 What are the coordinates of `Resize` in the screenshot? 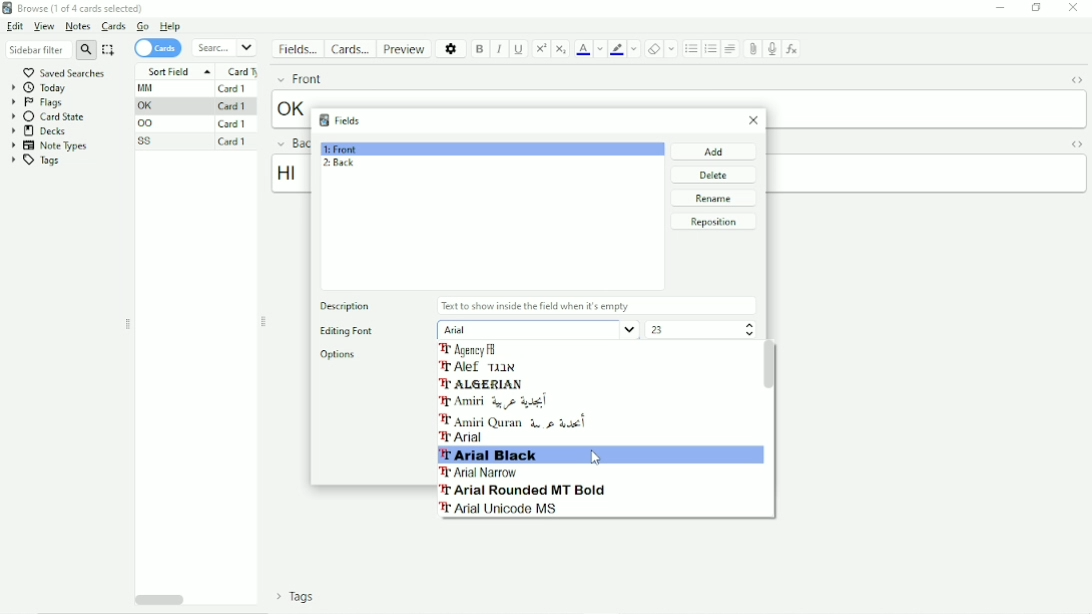 It's located at (265, 321).